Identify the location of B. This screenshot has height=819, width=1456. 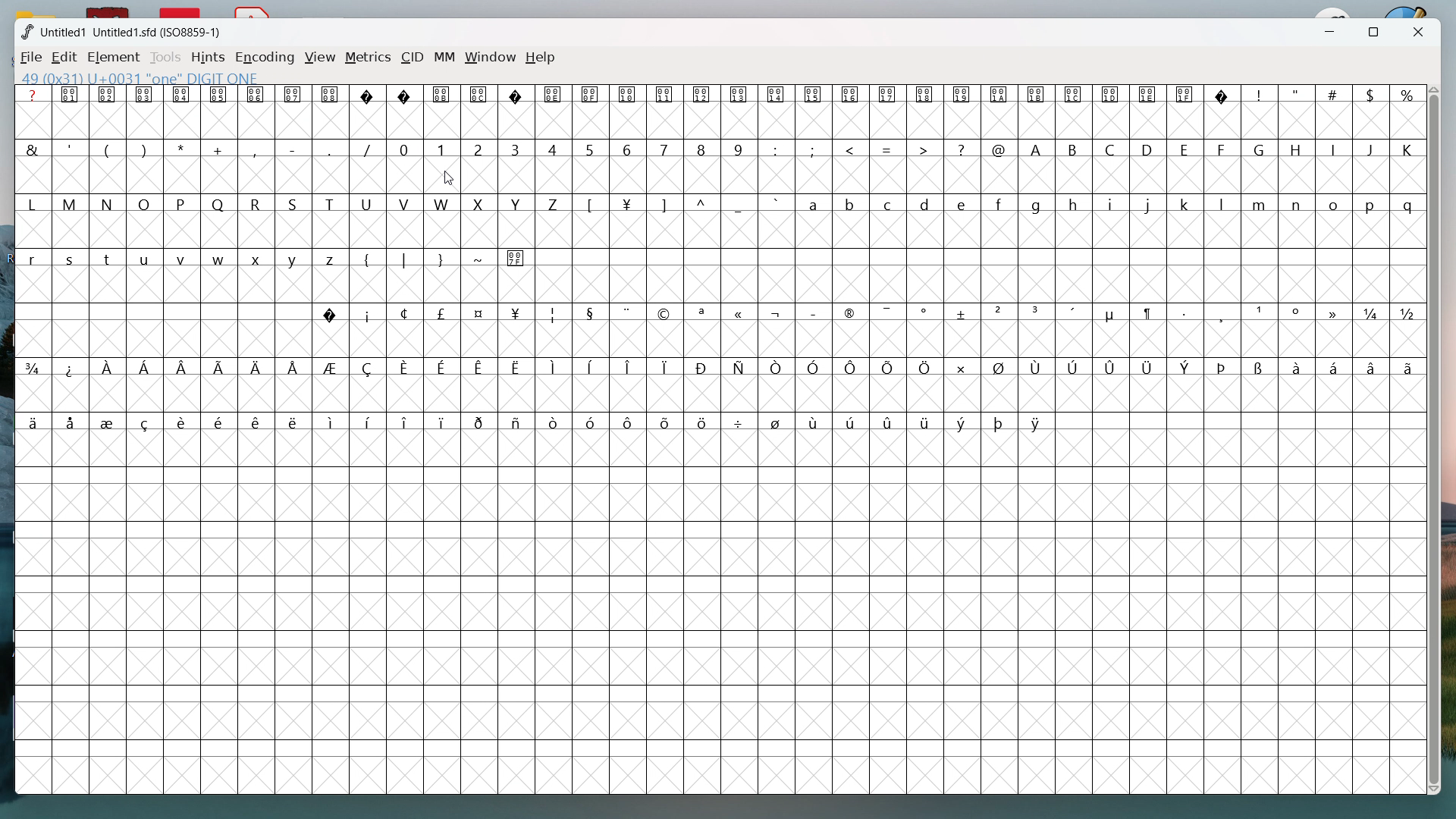
(1075, 149).